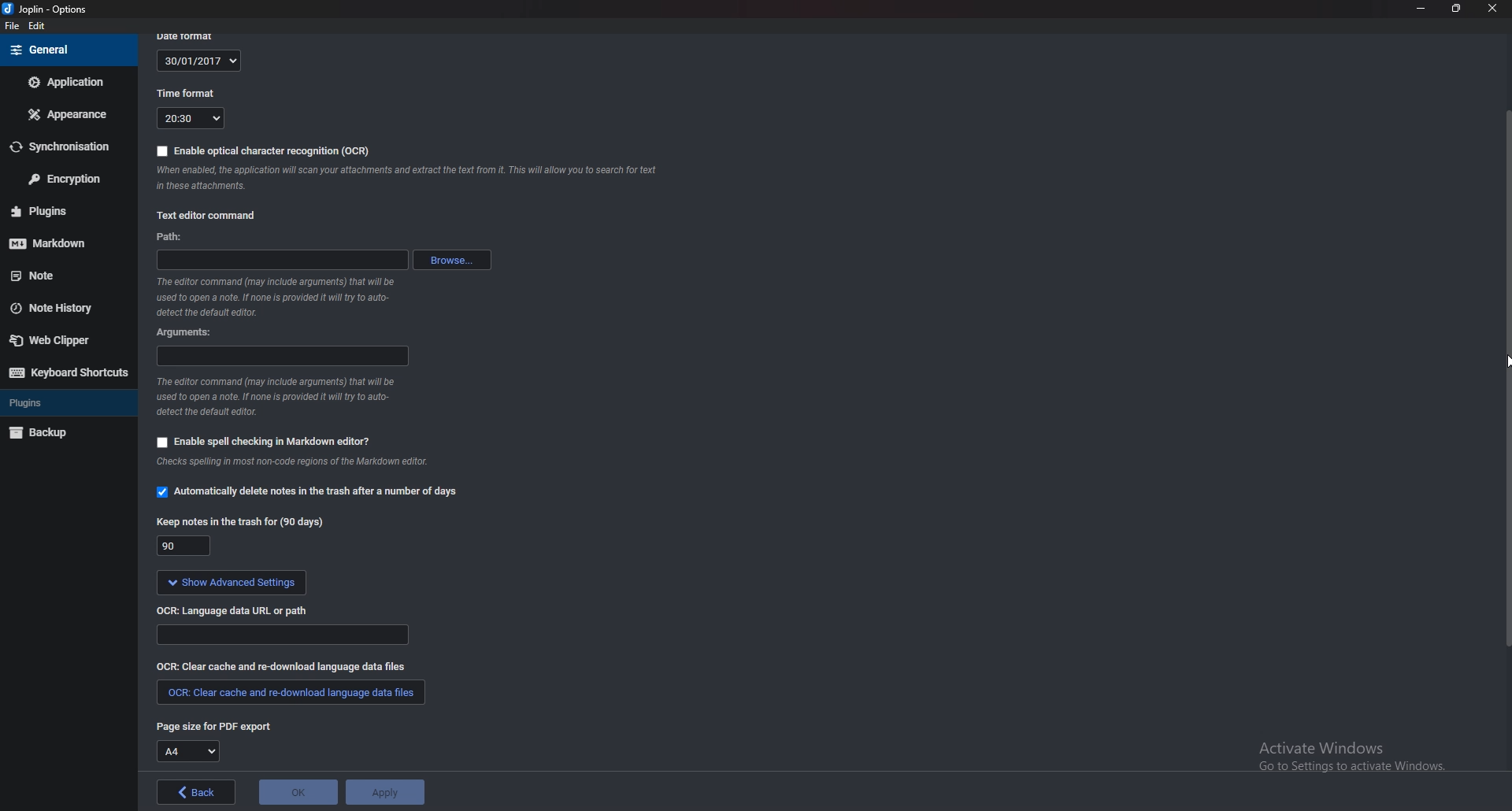 This screenshot has height=811, width=1512. Describe the element at coordinates (67, 50) in the screenshot. I see `General` at that location.